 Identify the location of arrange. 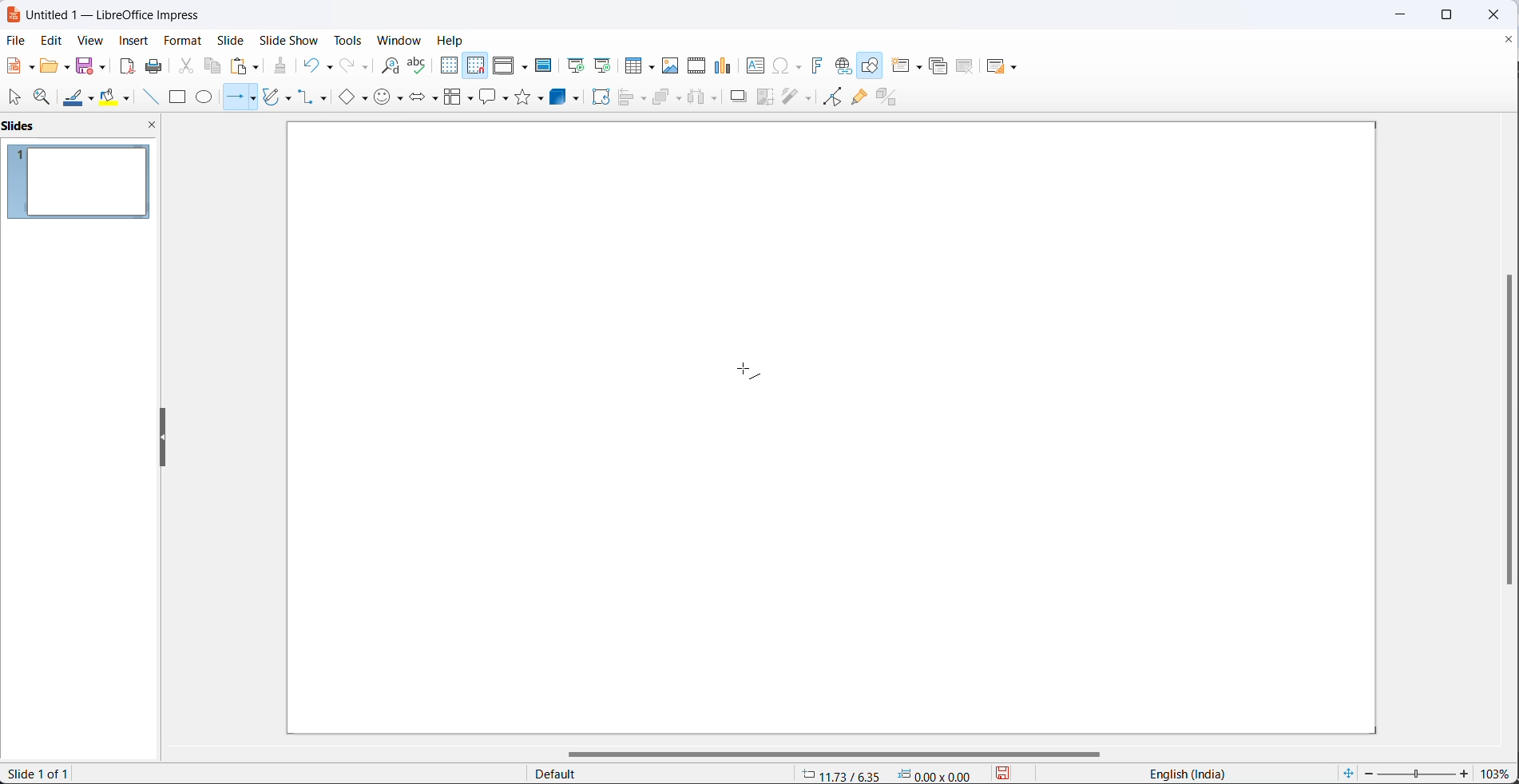
(668, 99).